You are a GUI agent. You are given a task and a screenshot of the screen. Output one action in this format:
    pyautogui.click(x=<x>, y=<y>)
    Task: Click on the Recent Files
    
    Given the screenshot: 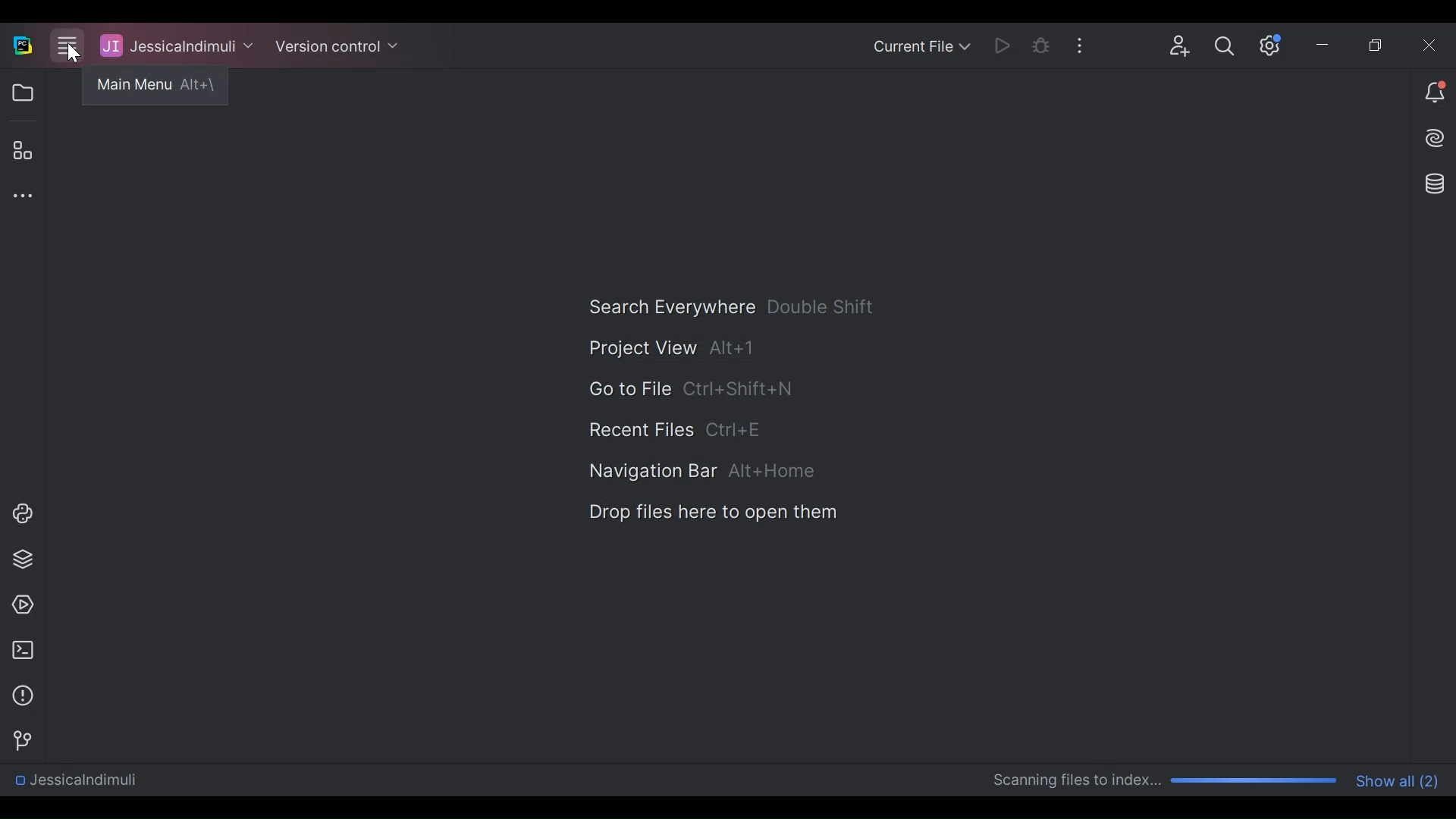 What is the action you would take?
    pyautogui.click(x=676, y=429)
    